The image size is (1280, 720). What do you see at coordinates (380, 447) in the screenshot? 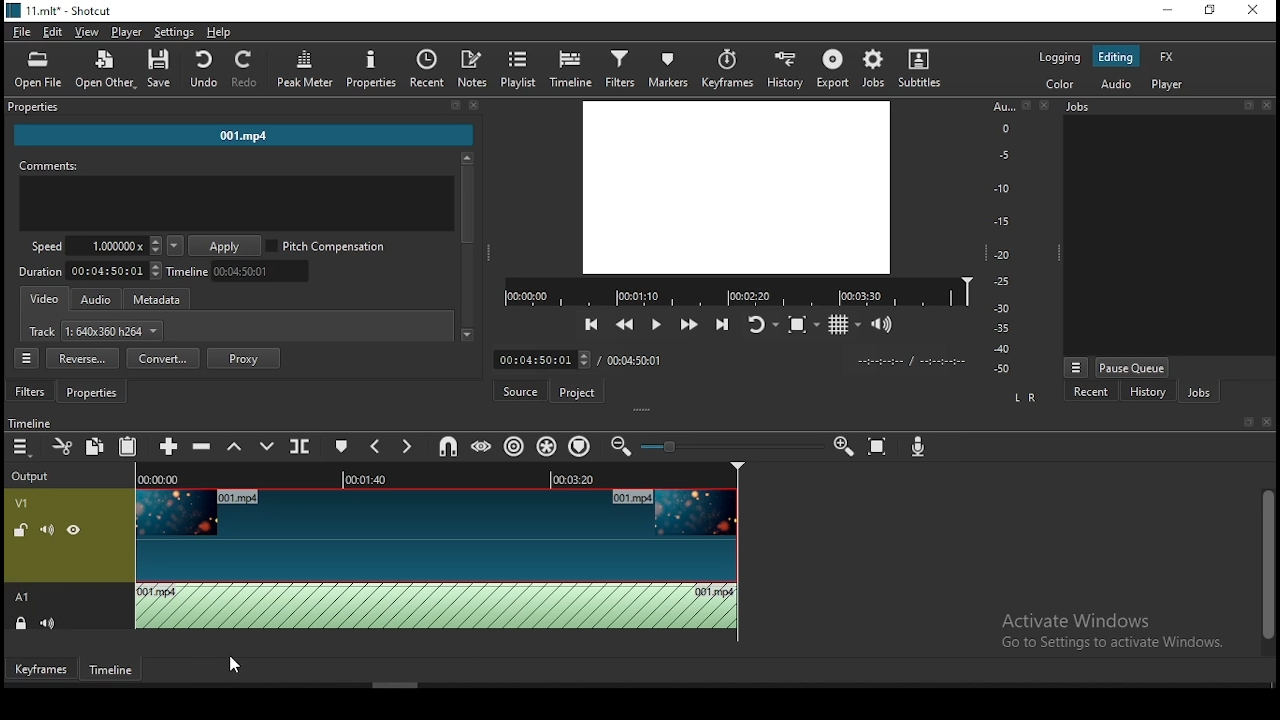
I see `previous marker` at bounding box center [380, 447].